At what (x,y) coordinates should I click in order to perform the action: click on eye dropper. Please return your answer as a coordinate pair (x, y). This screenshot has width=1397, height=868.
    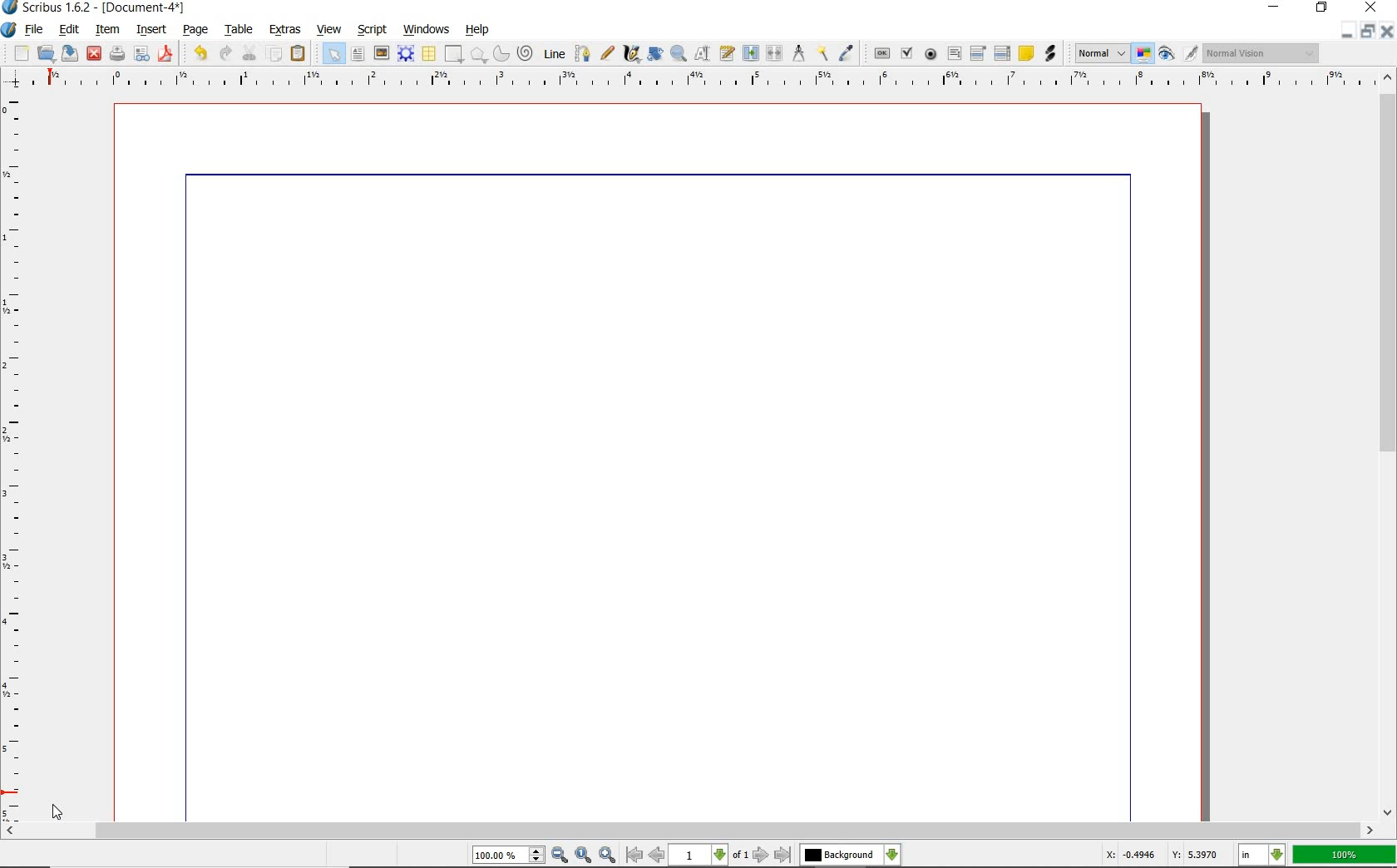
    Looking at the image, I should click on (847, 53).